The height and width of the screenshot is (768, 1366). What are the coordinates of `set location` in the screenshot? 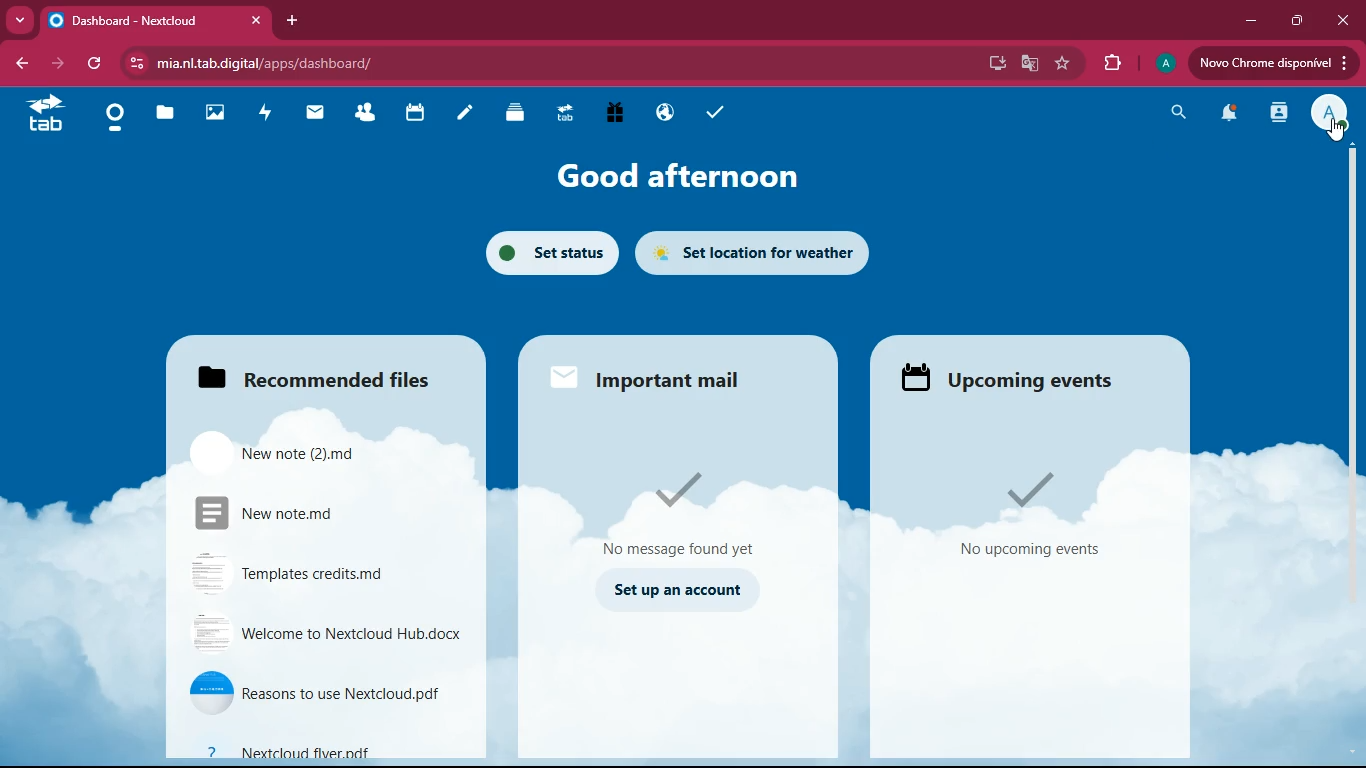 It's located at (763, 252).